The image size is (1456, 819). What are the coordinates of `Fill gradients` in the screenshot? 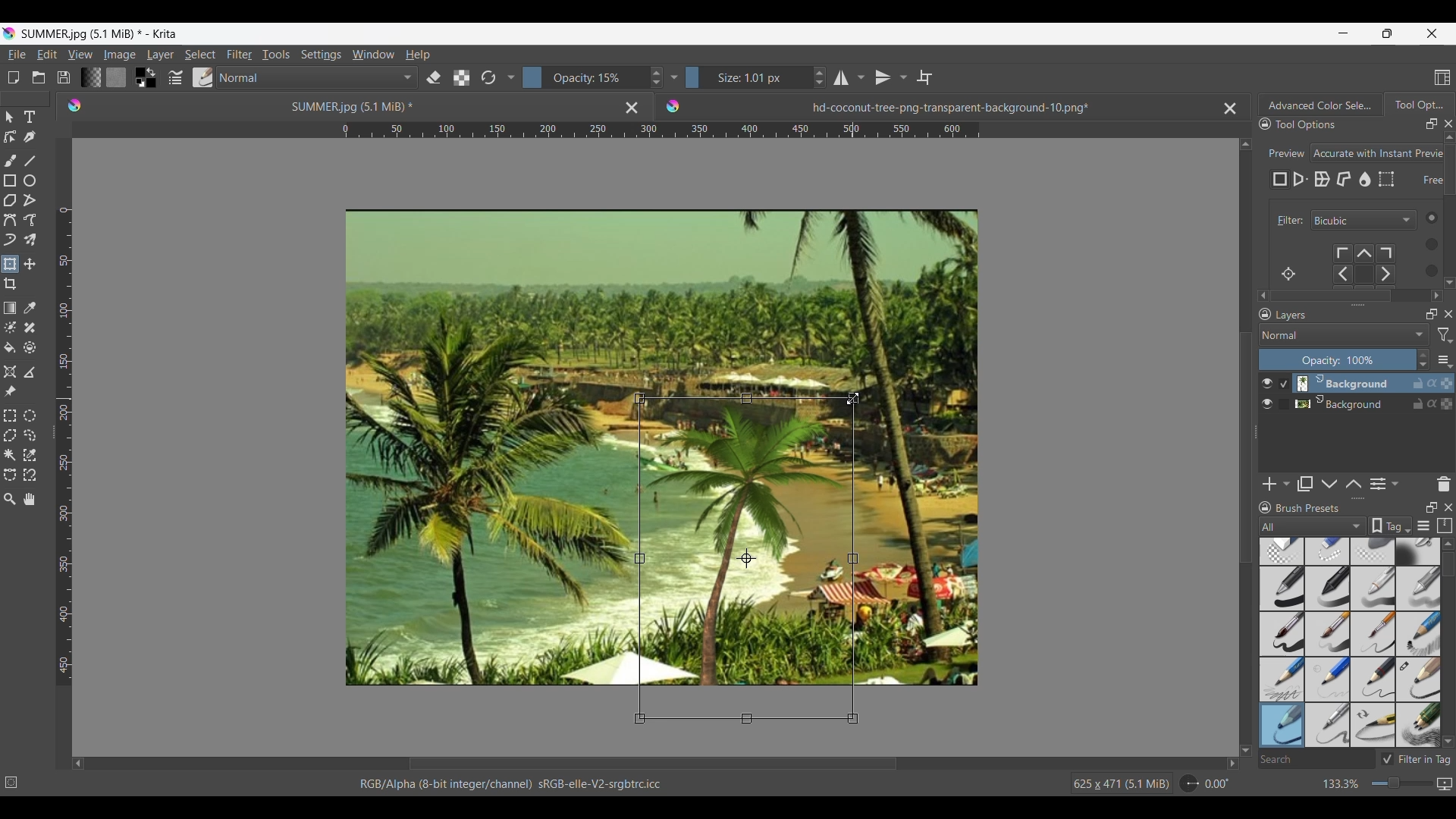 It's located at (90, 77).